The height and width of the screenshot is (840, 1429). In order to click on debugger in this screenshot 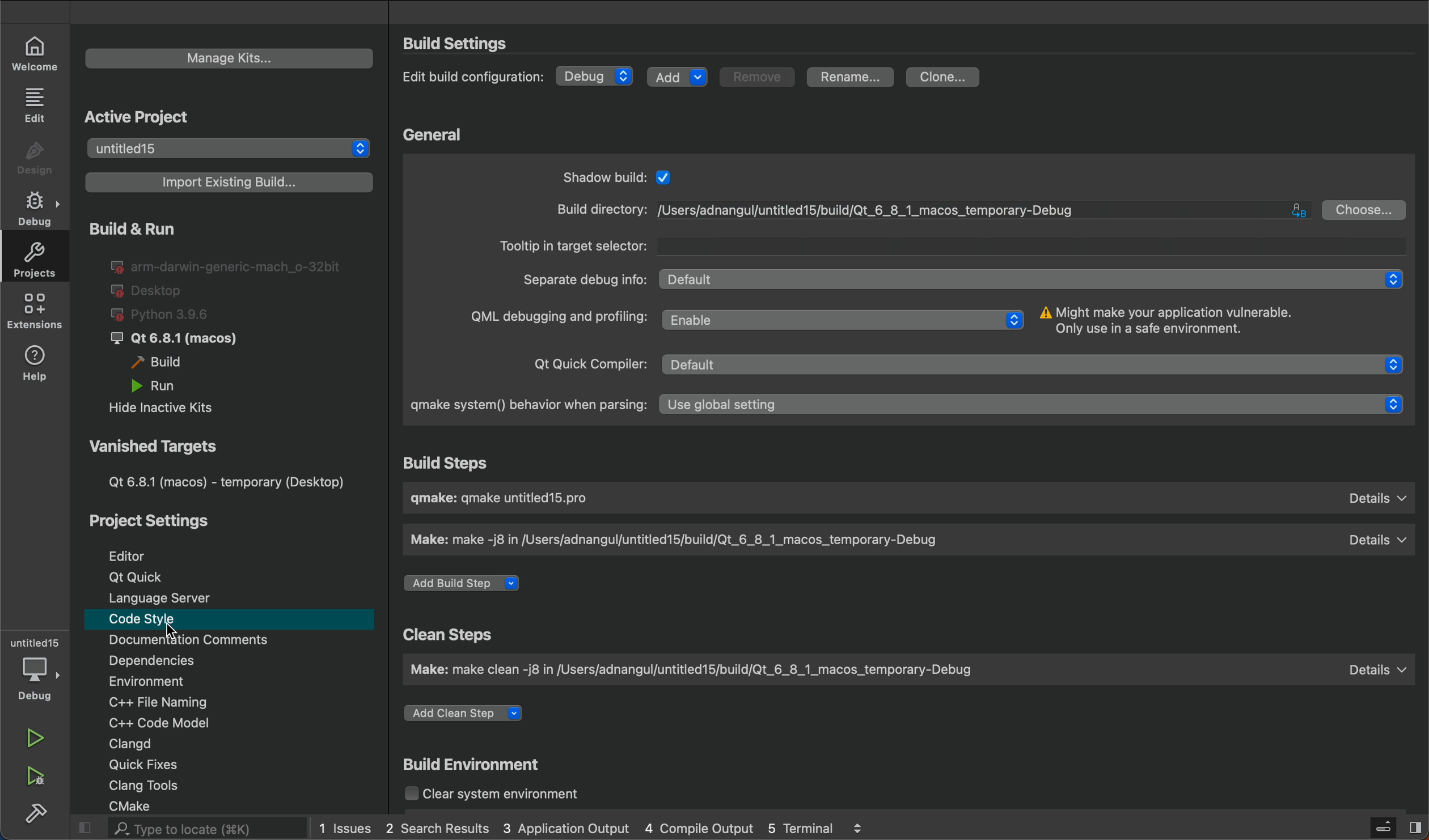, I will do `click(35, 668)`.